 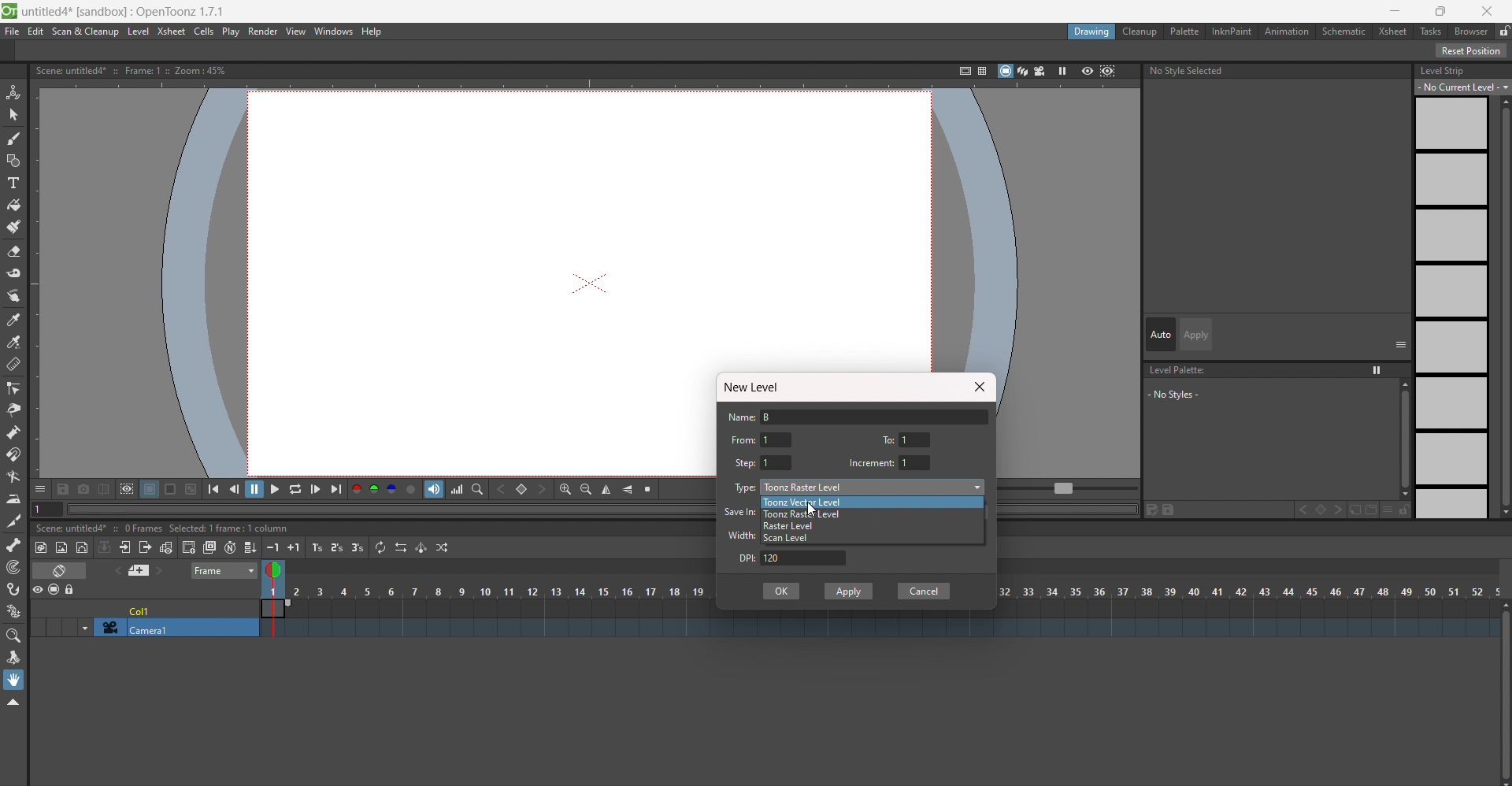 What do you see at coordinates (605, 490) in the screenshot?
I see `` at bounding box center [605, 490].